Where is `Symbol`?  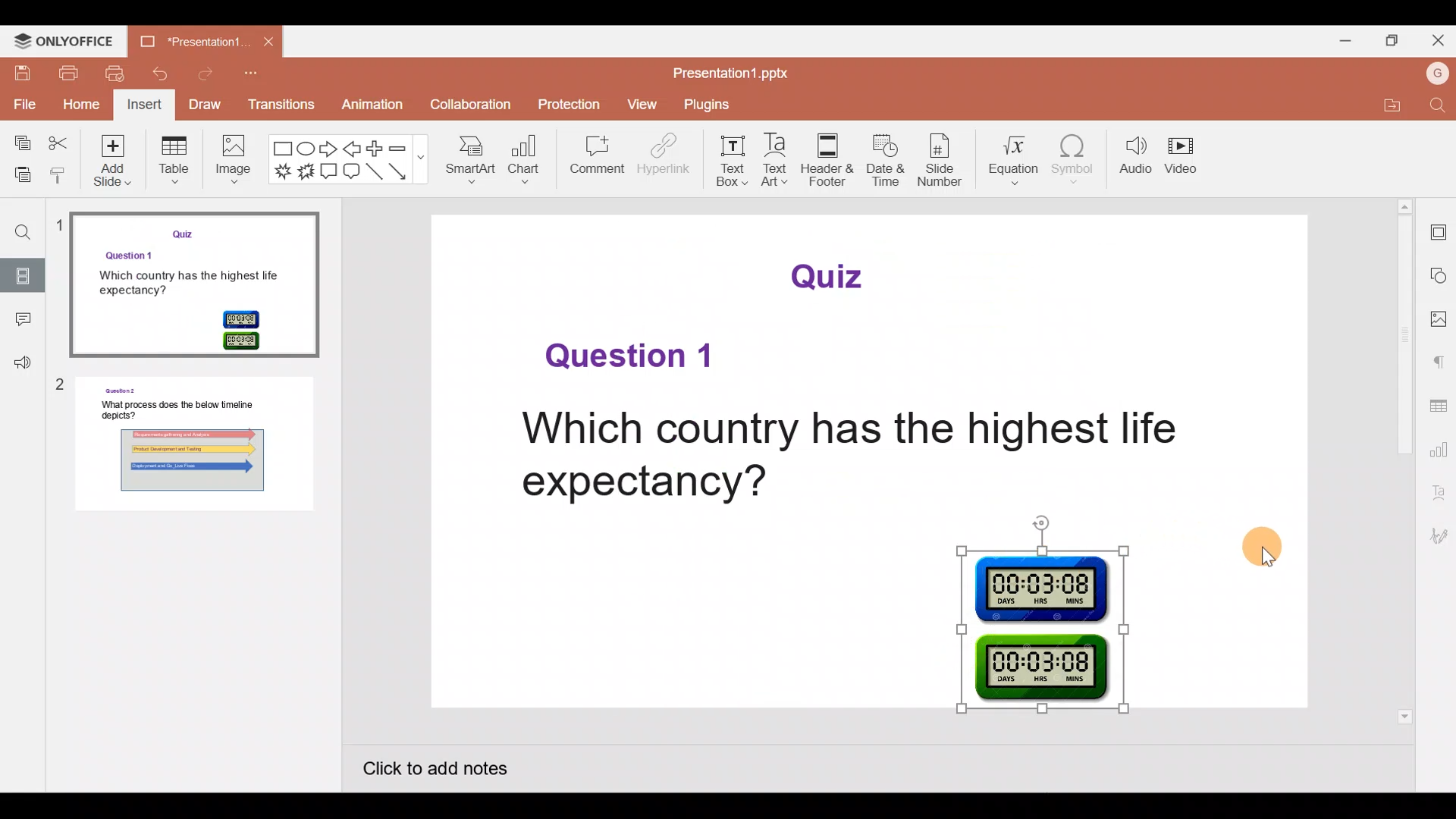
Symbol is located at coordinates (1077, 158).